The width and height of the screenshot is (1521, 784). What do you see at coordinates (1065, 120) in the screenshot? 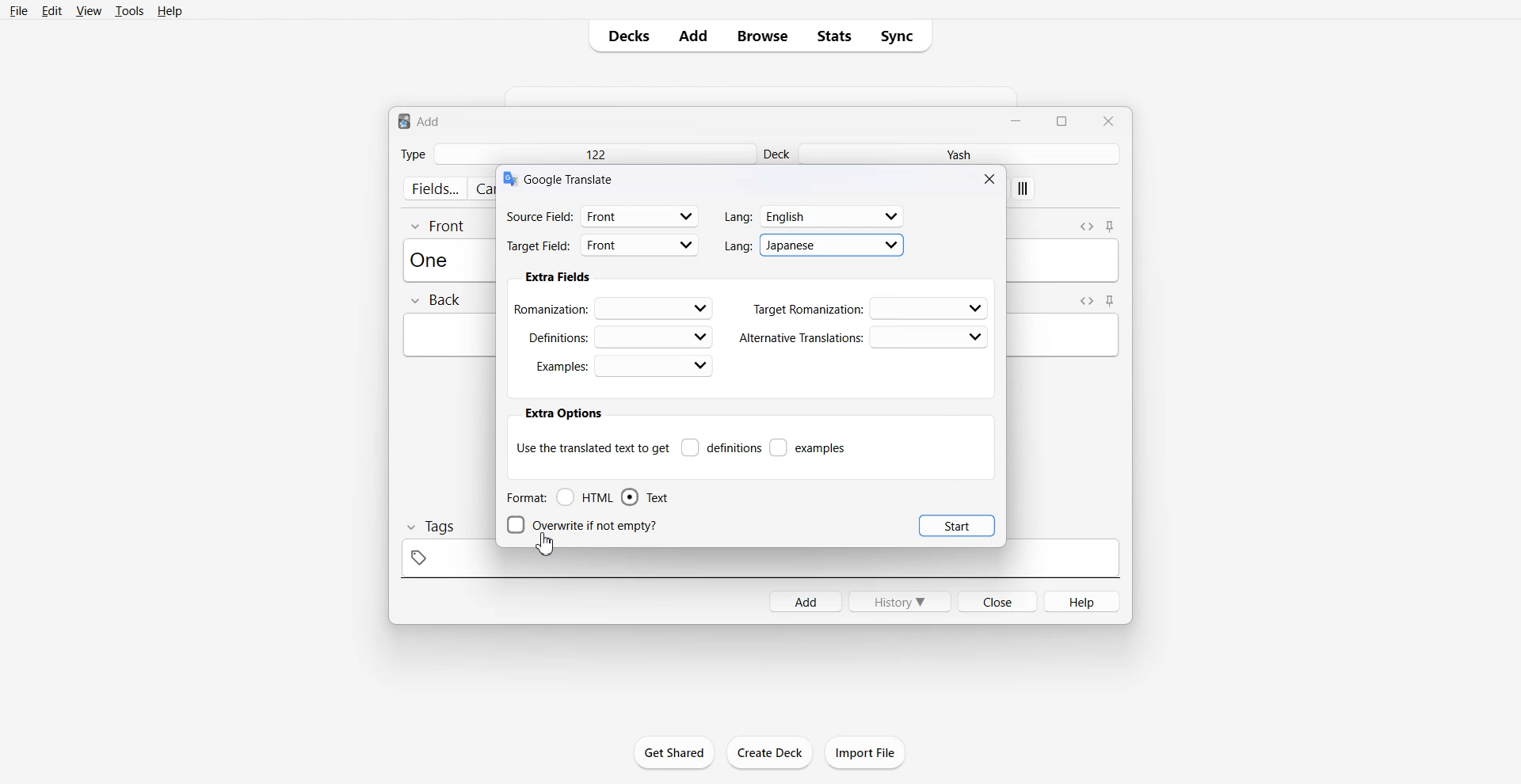
I see `Maximize` at bounding box center [1065, 120].